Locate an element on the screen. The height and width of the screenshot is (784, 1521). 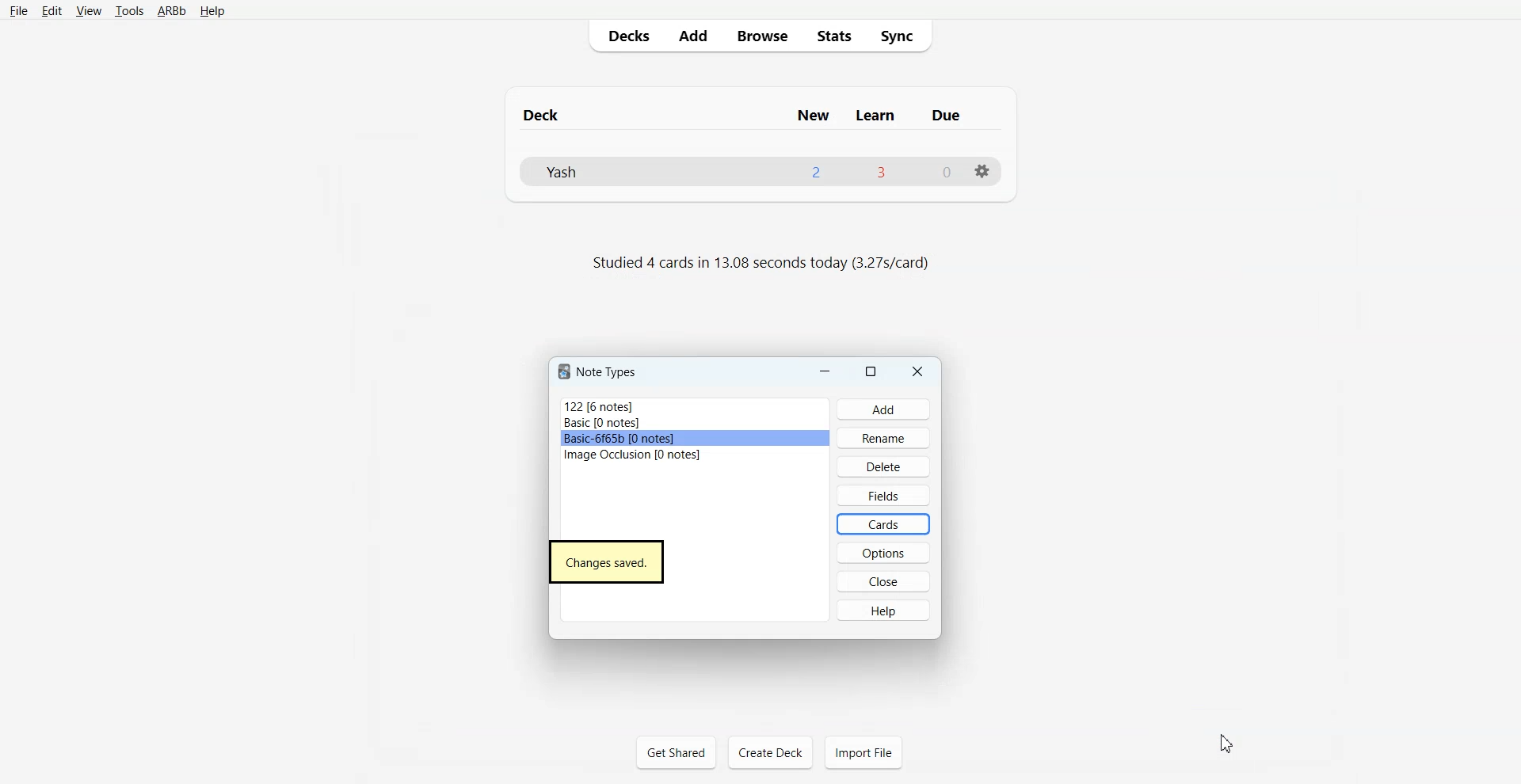
Text 2 is located at coordinates (759, 265).